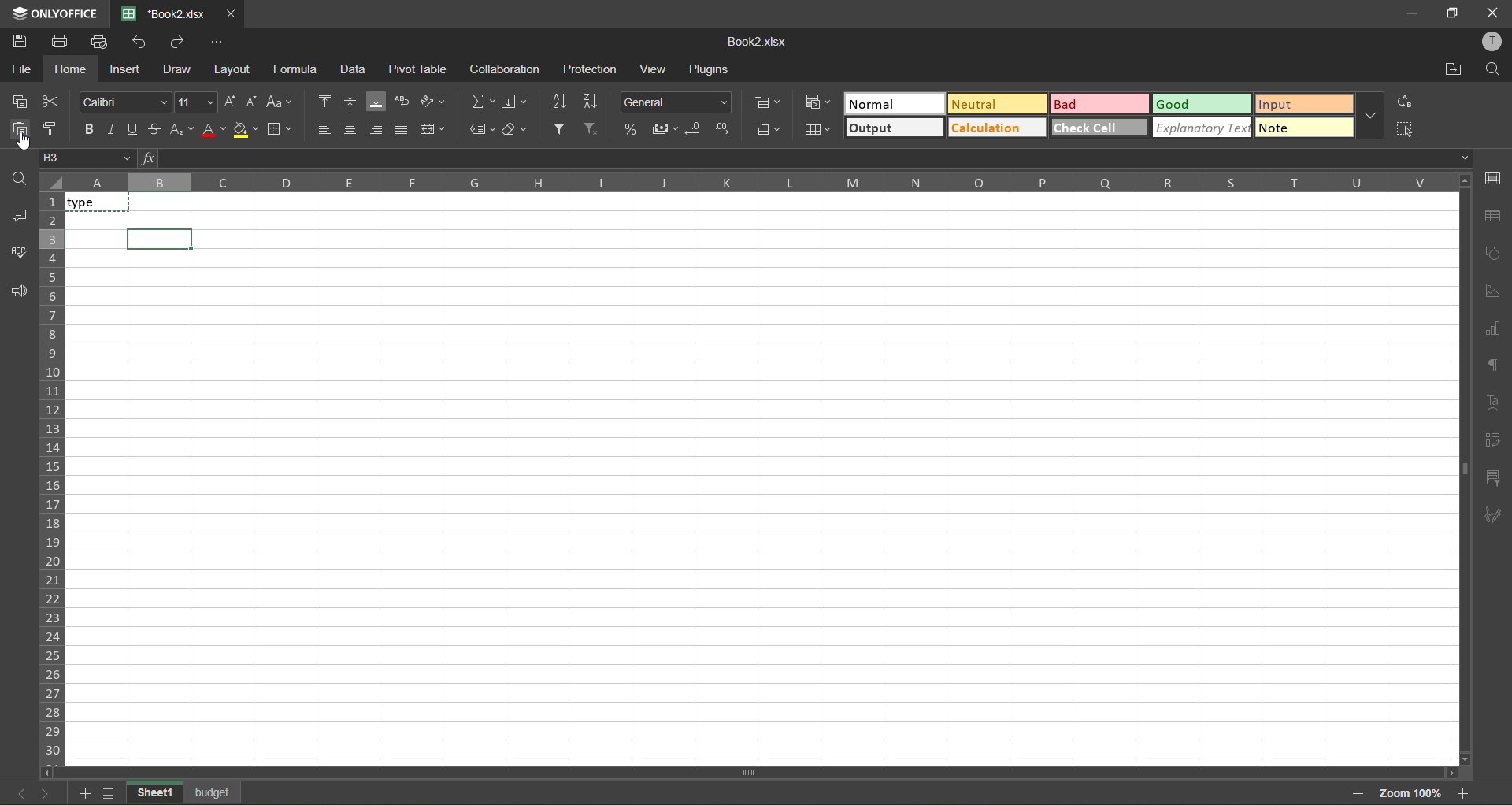 The width and height of the screenshot is (1512, 805). Describe the element at coordinates (183, 131) in the screenshot. I see `sub/superscript` at that location.